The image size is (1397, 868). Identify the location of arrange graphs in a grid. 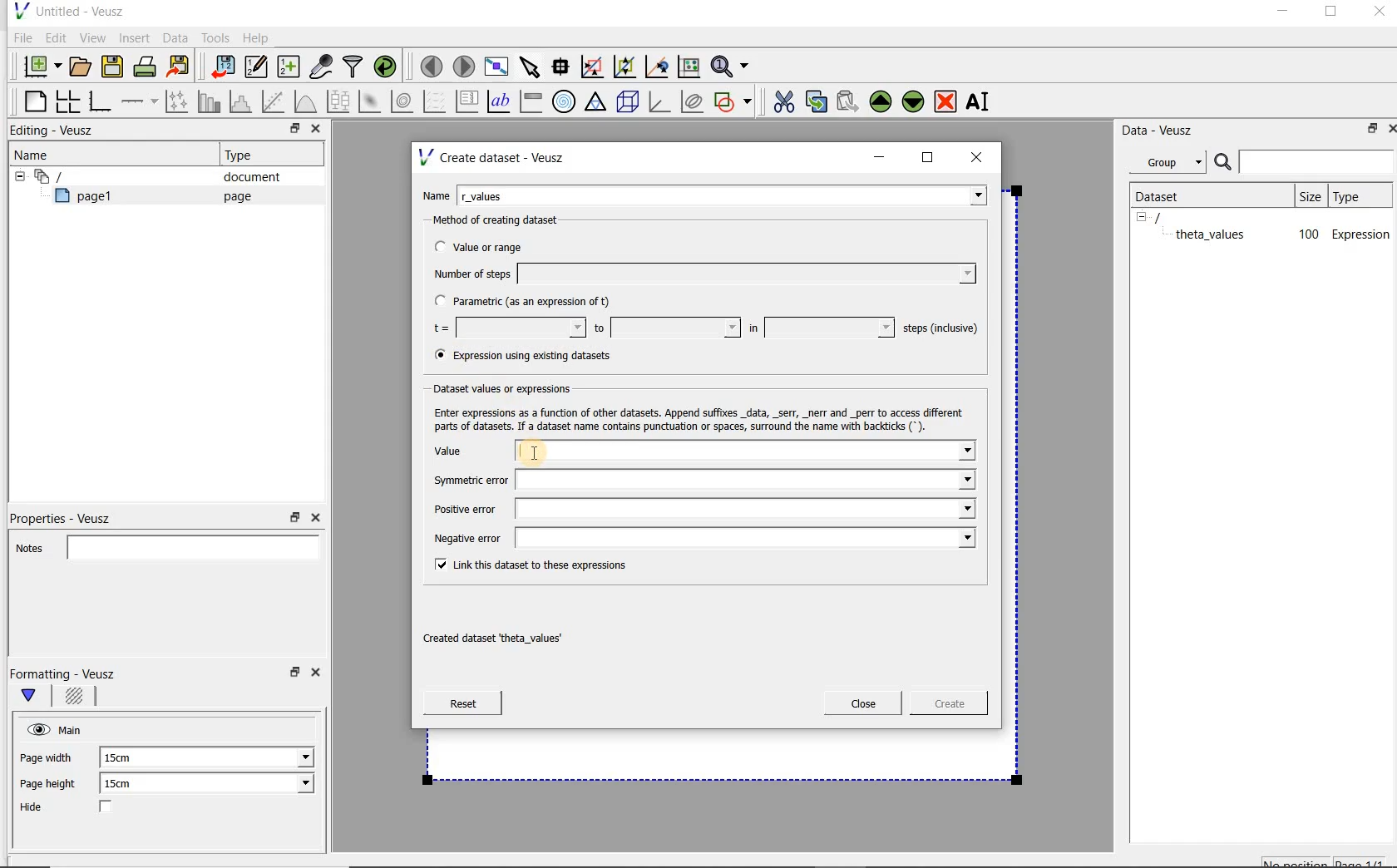
(67, 101).